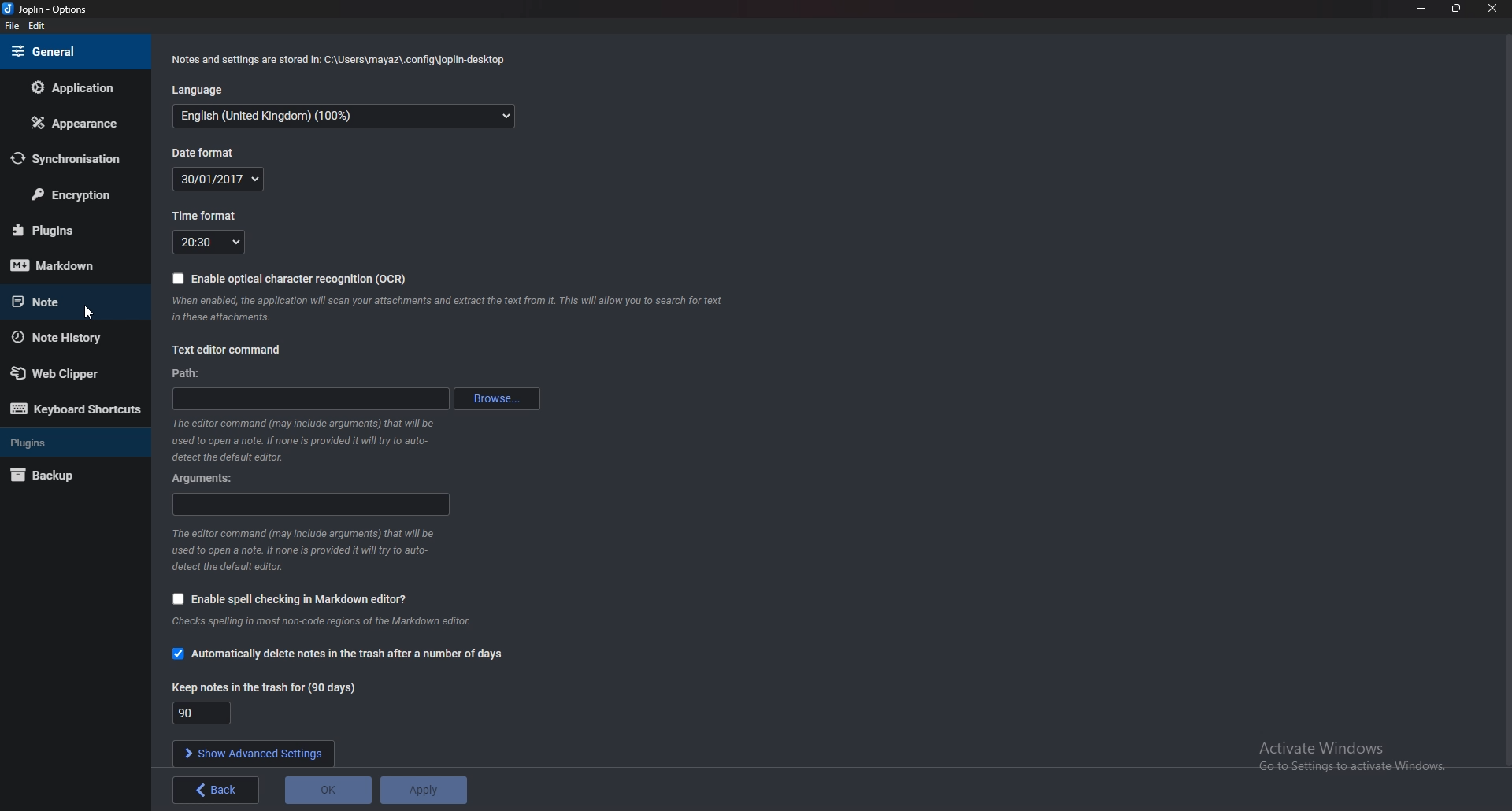 The image size is (1512, 811). What do you see at coordinates (346, 116) in the screenshot?
I see `language` at bounding box center [346, 116].